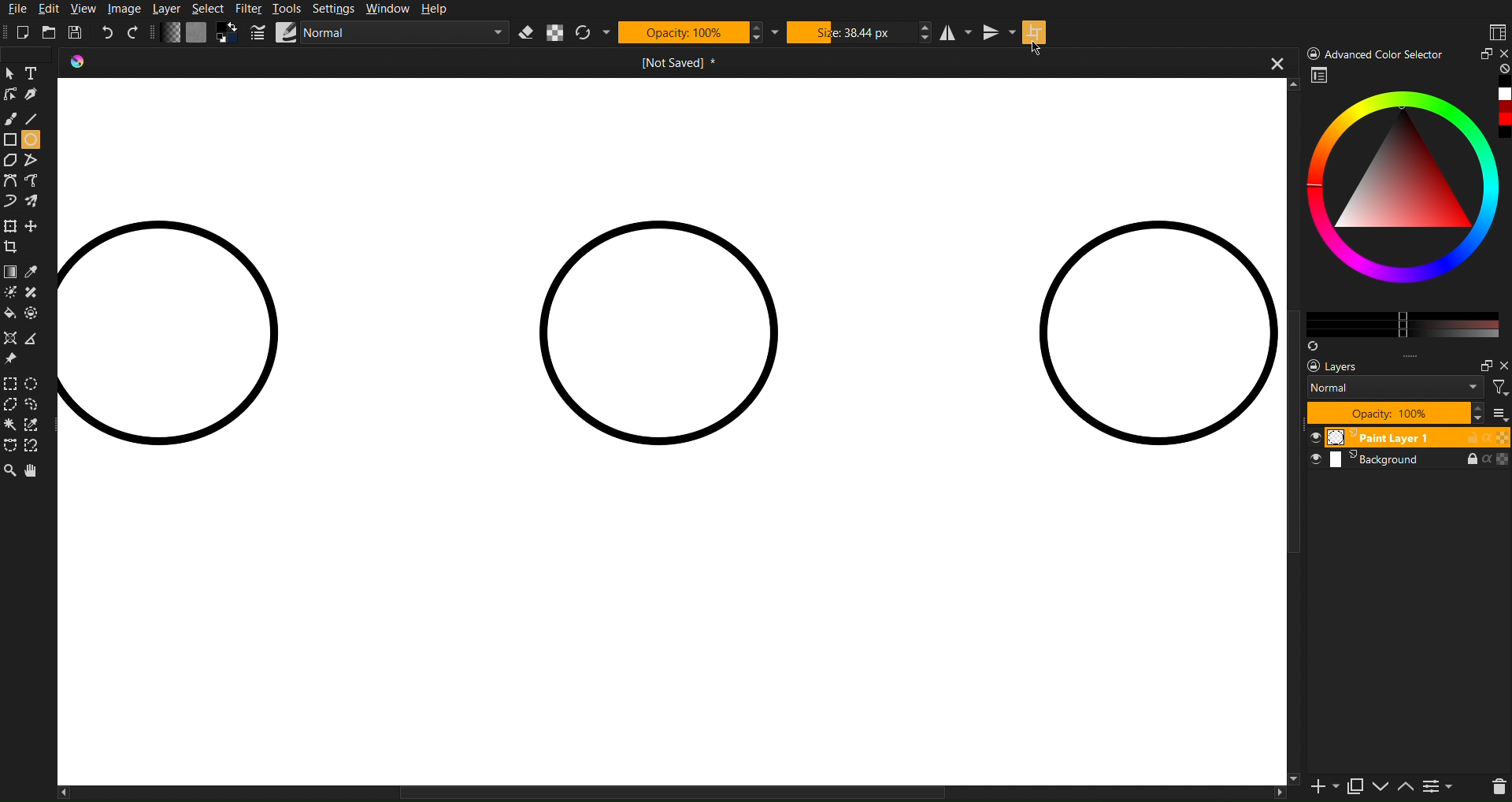 This screenshot has height=802, width=1512. Describe the element at coordinates (1039, 47) in the screenshot. I see `Cursor` at that location.